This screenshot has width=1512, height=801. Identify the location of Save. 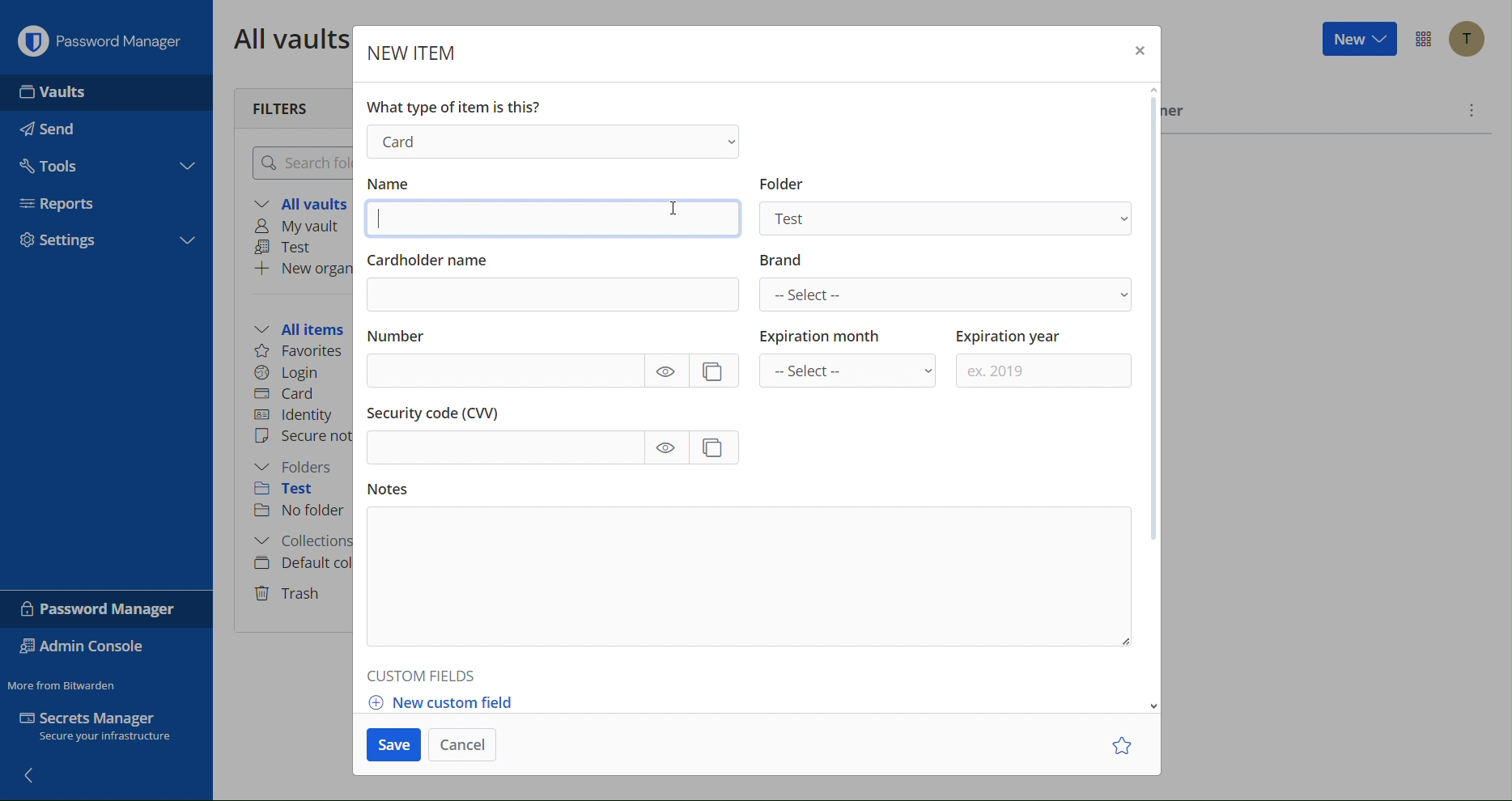
(388, 745).